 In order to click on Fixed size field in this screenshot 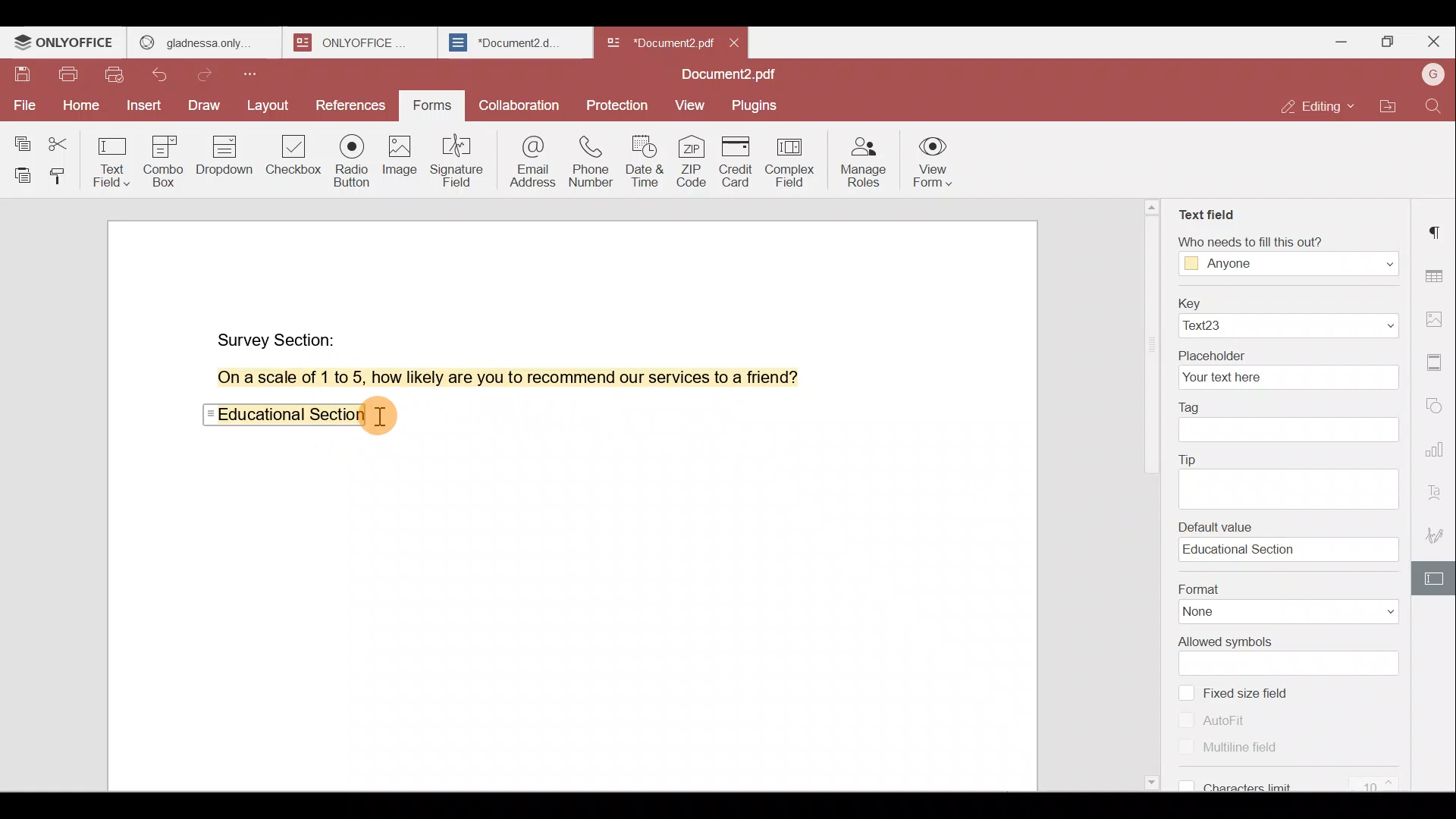, I will do `click(1260, 696)`.